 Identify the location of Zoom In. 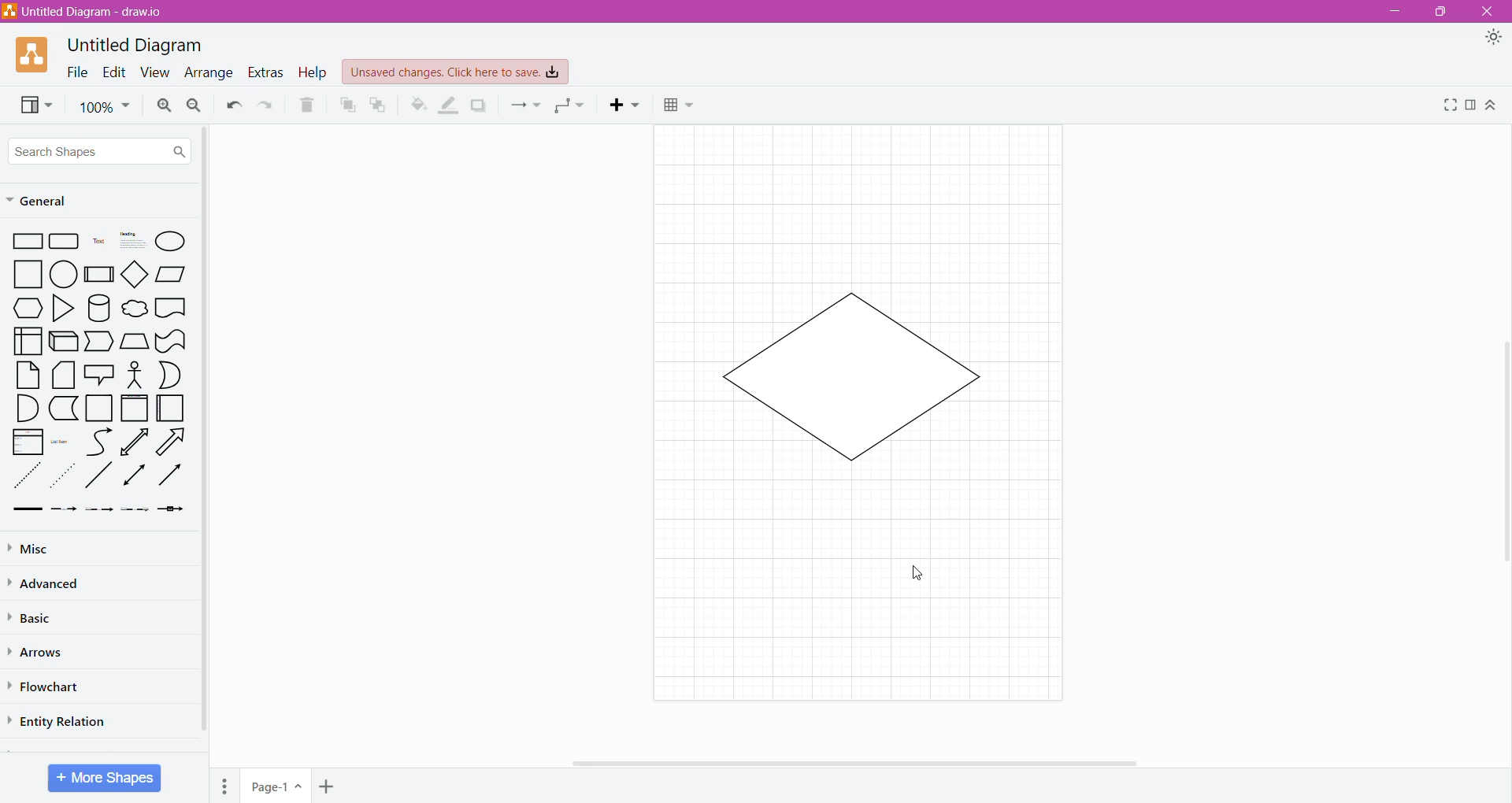
(163, 105).